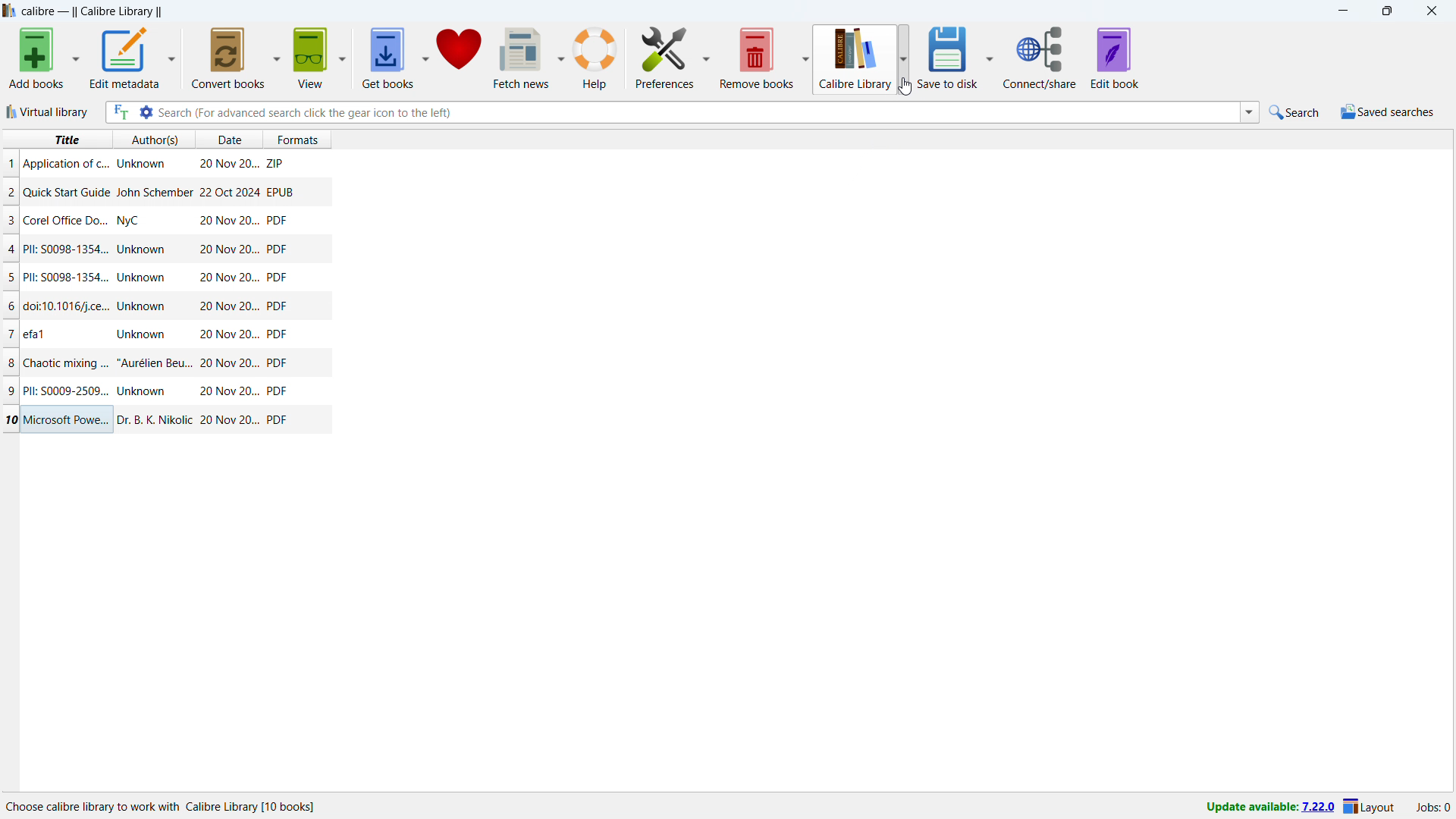  I want to click on EPUB, so click(280, 191).